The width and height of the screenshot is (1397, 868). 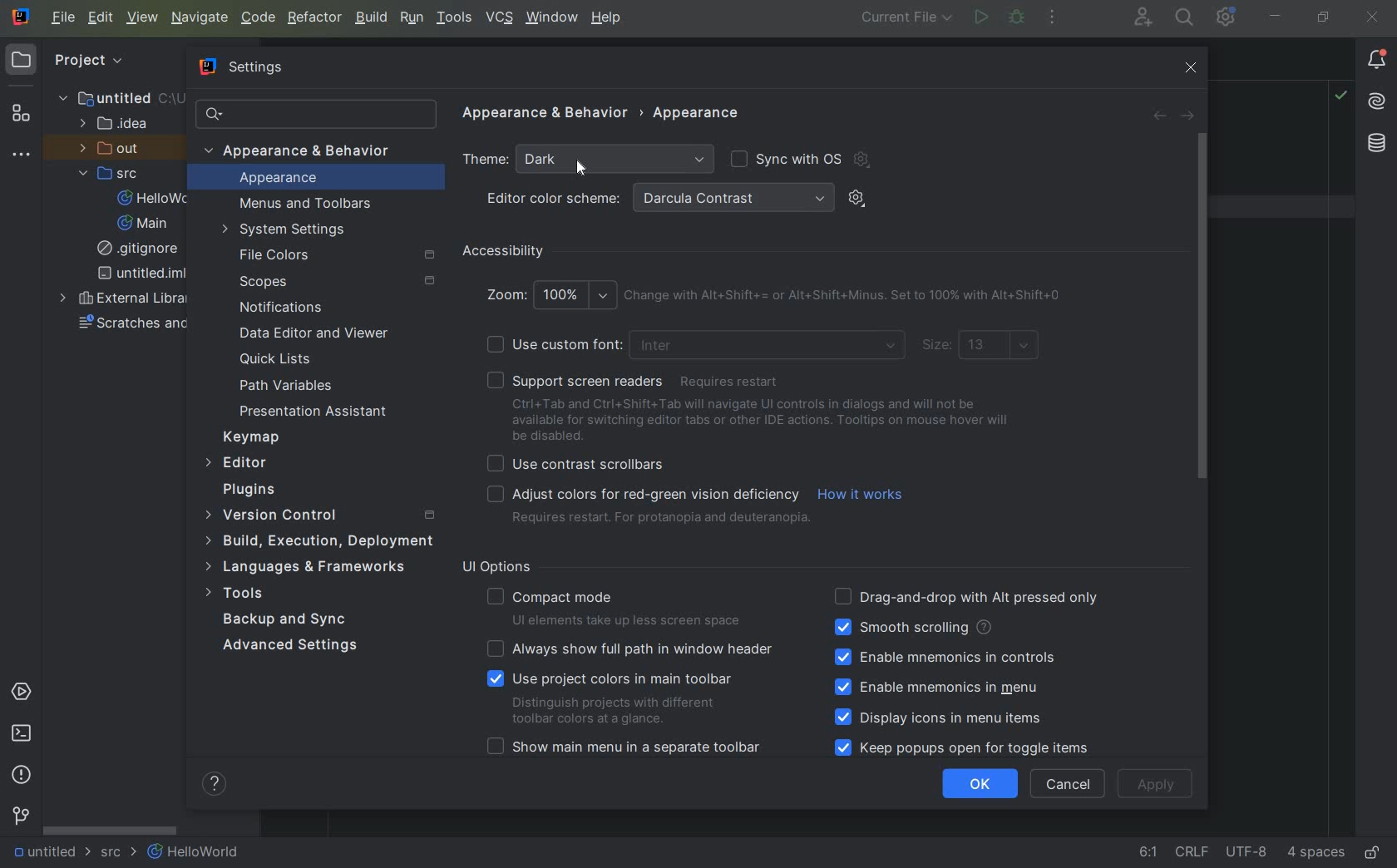 I want to click on SRC, so click(x=117, y=173).